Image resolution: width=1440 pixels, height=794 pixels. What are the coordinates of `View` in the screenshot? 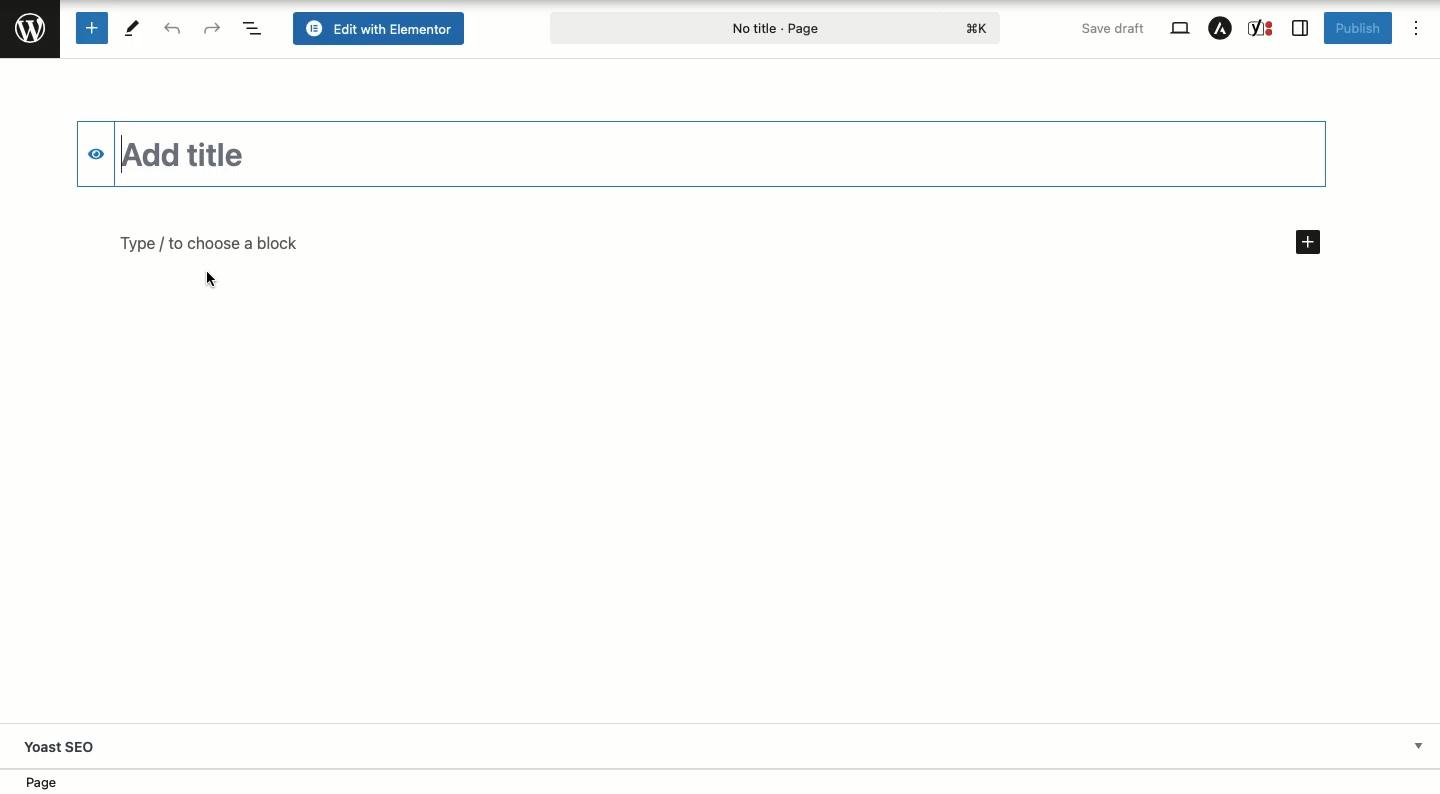 It's located at (1181, 27).